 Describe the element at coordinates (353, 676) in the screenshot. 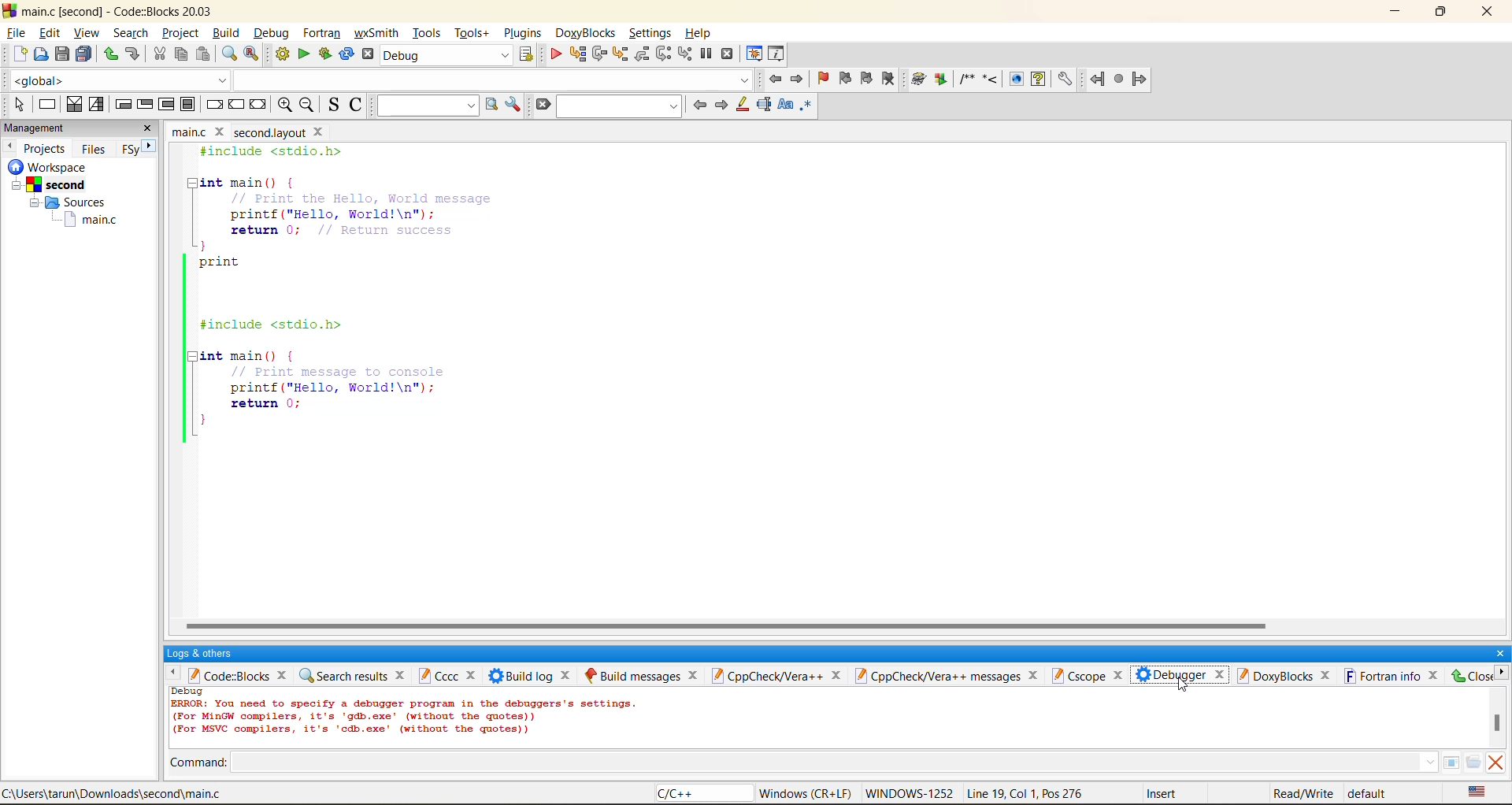

I see `search results` at that location.